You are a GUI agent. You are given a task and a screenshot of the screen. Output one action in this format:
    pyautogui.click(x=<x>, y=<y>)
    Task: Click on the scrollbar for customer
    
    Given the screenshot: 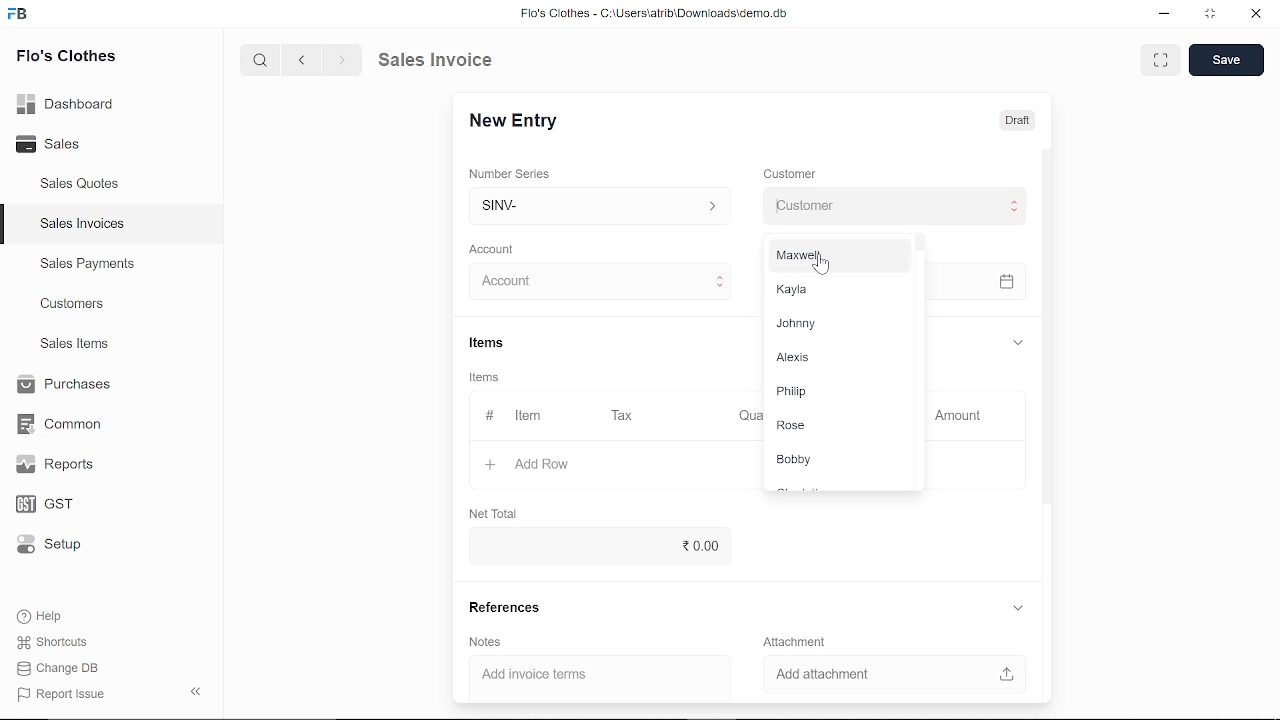 What is the action you would take?
    pyautogui.click(x=921, y=245)
    